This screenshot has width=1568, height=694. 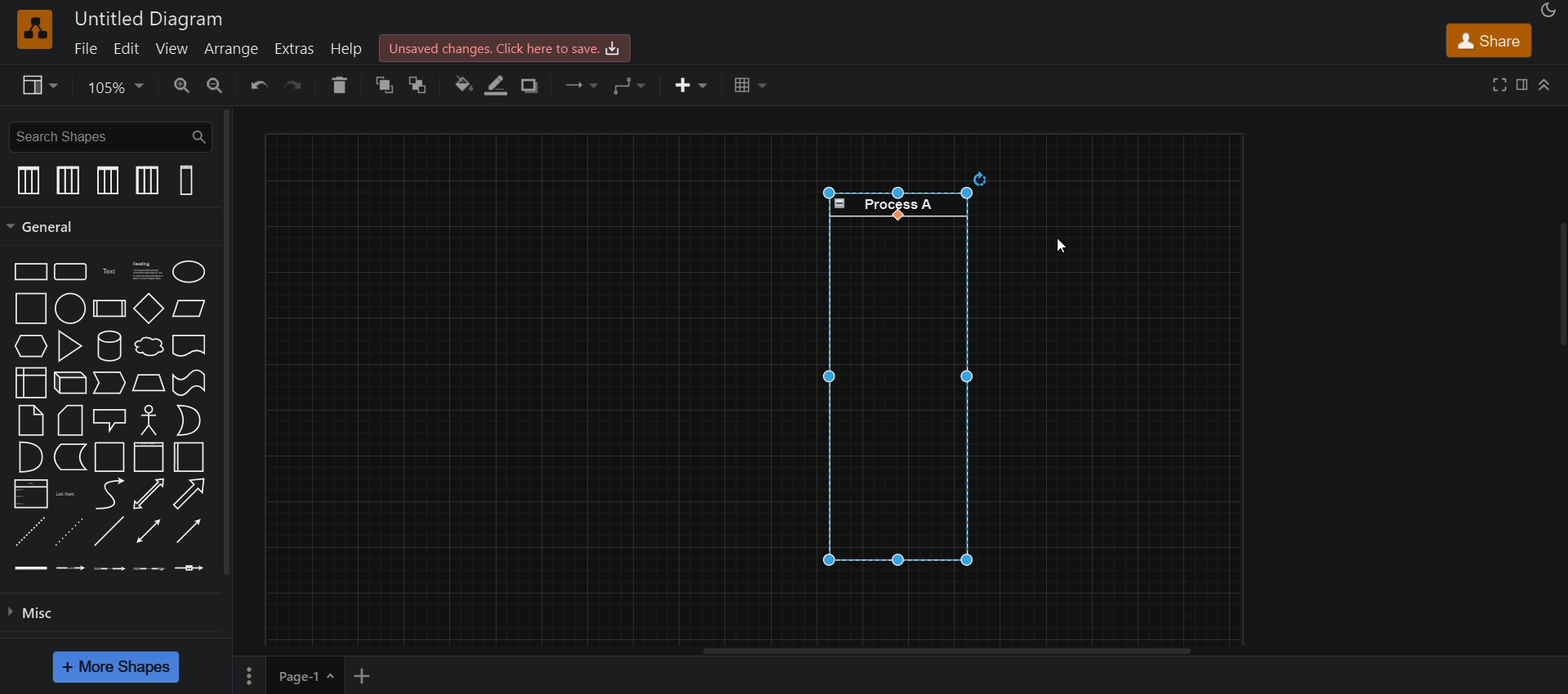 I want to click on edit, so click(x=131, y=49).